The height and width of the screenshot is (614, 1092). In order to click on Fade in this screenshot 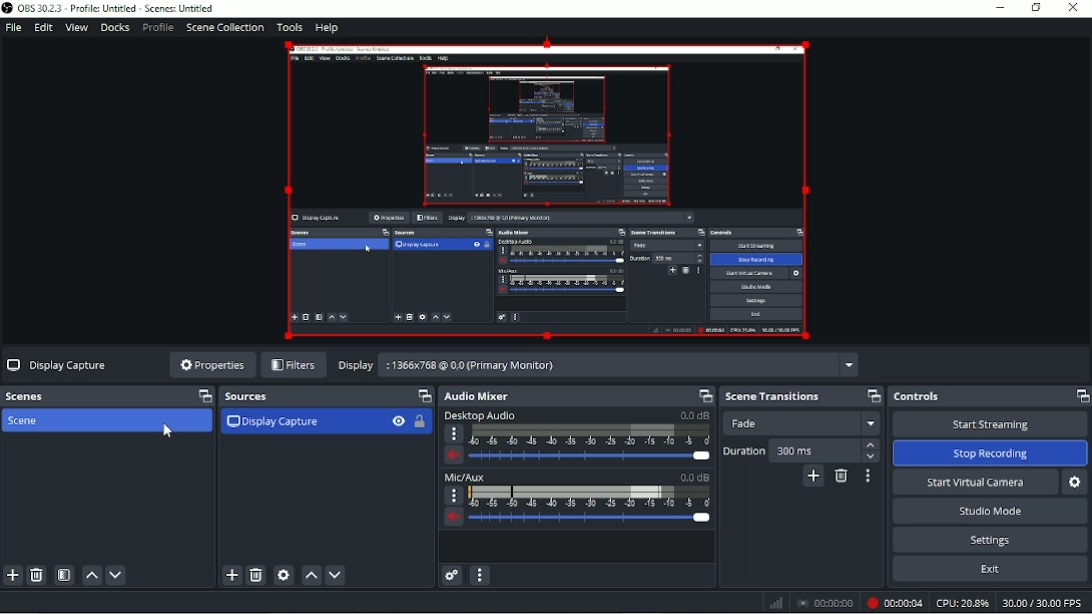, I will do `click(805, 424)`.